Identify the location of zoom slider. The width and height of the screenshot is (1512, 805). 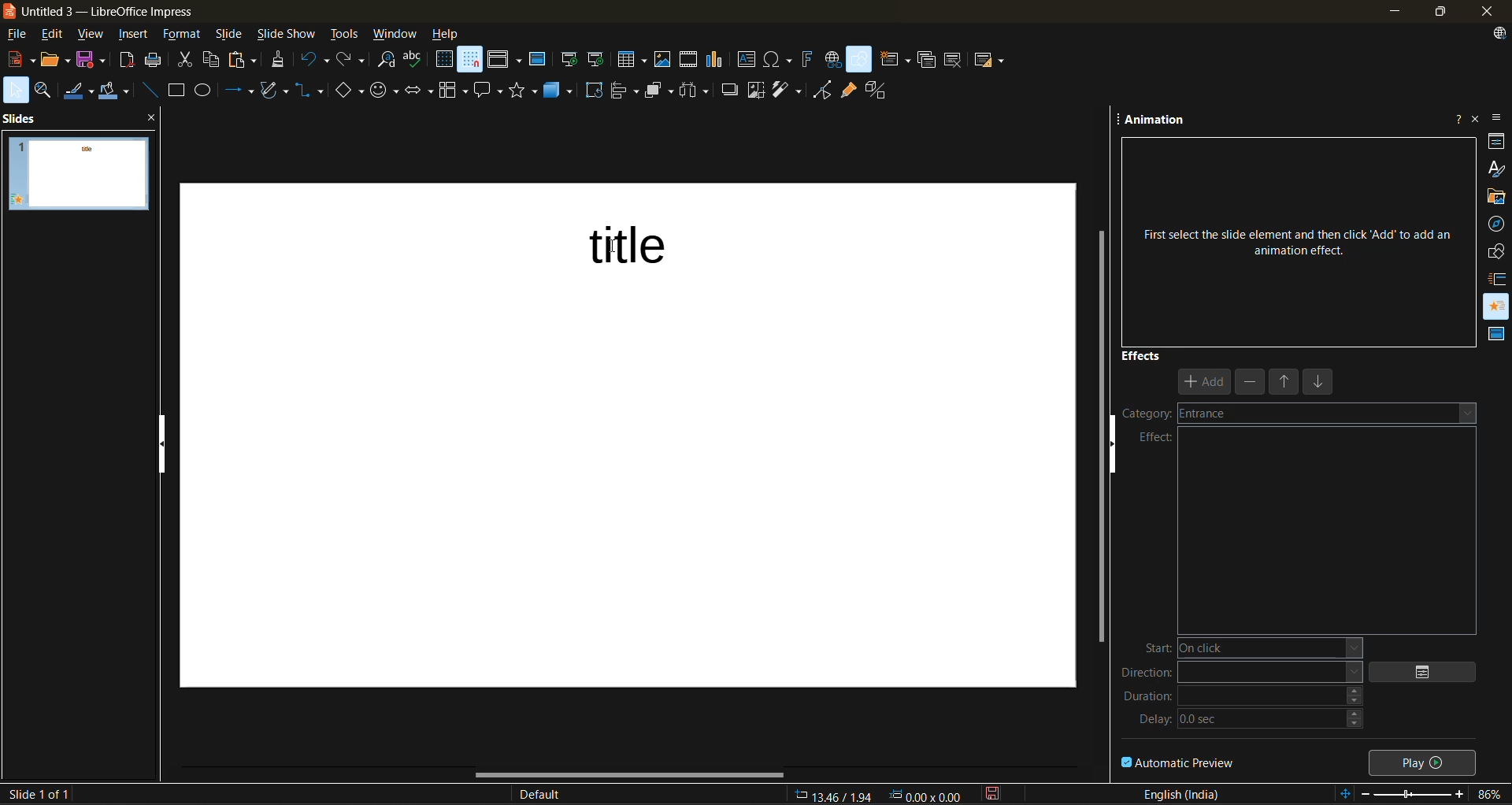
(1415, 796).